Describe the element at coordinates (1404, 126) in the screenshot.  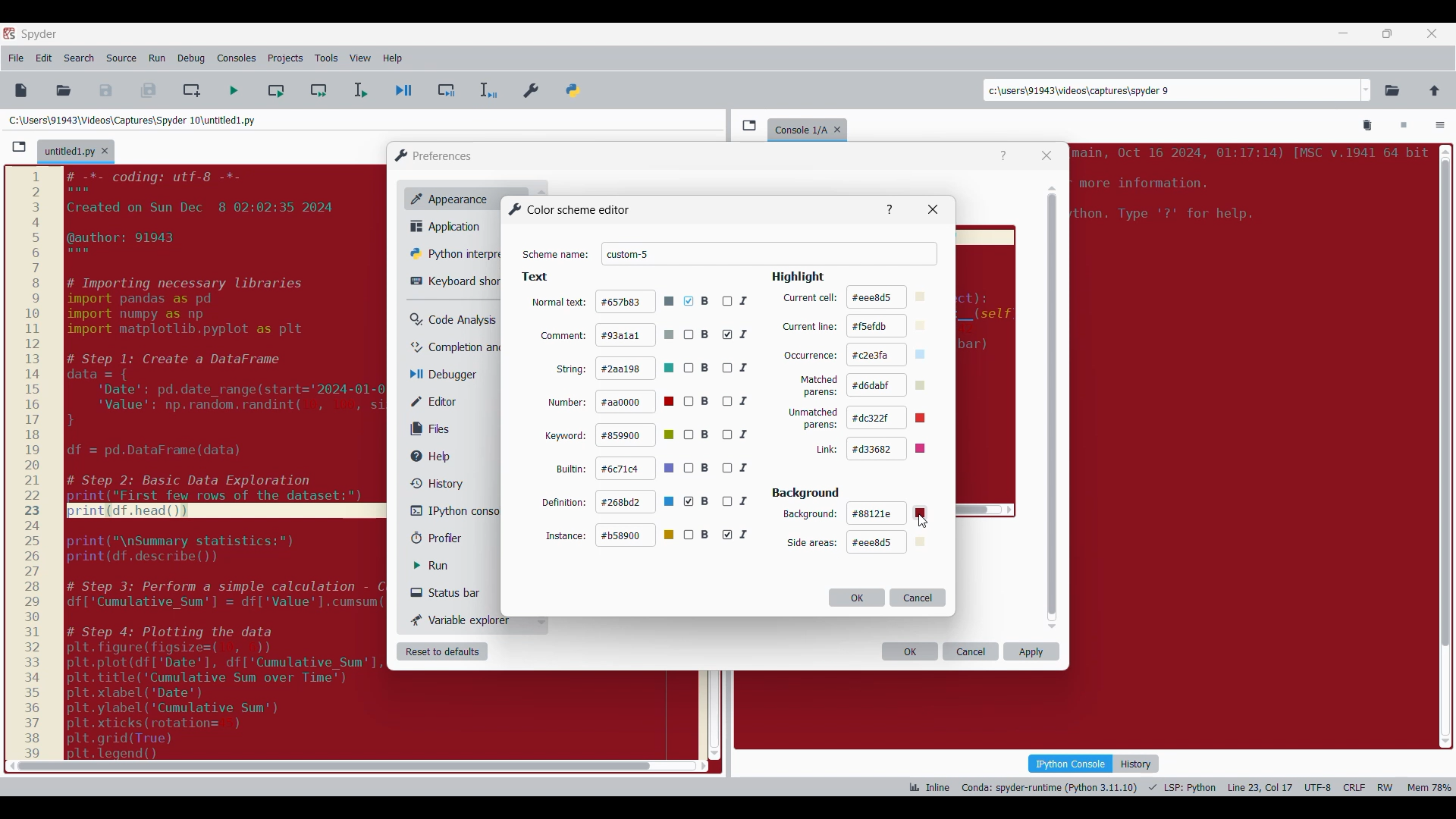
I see `Interrupt kernel` at that location.